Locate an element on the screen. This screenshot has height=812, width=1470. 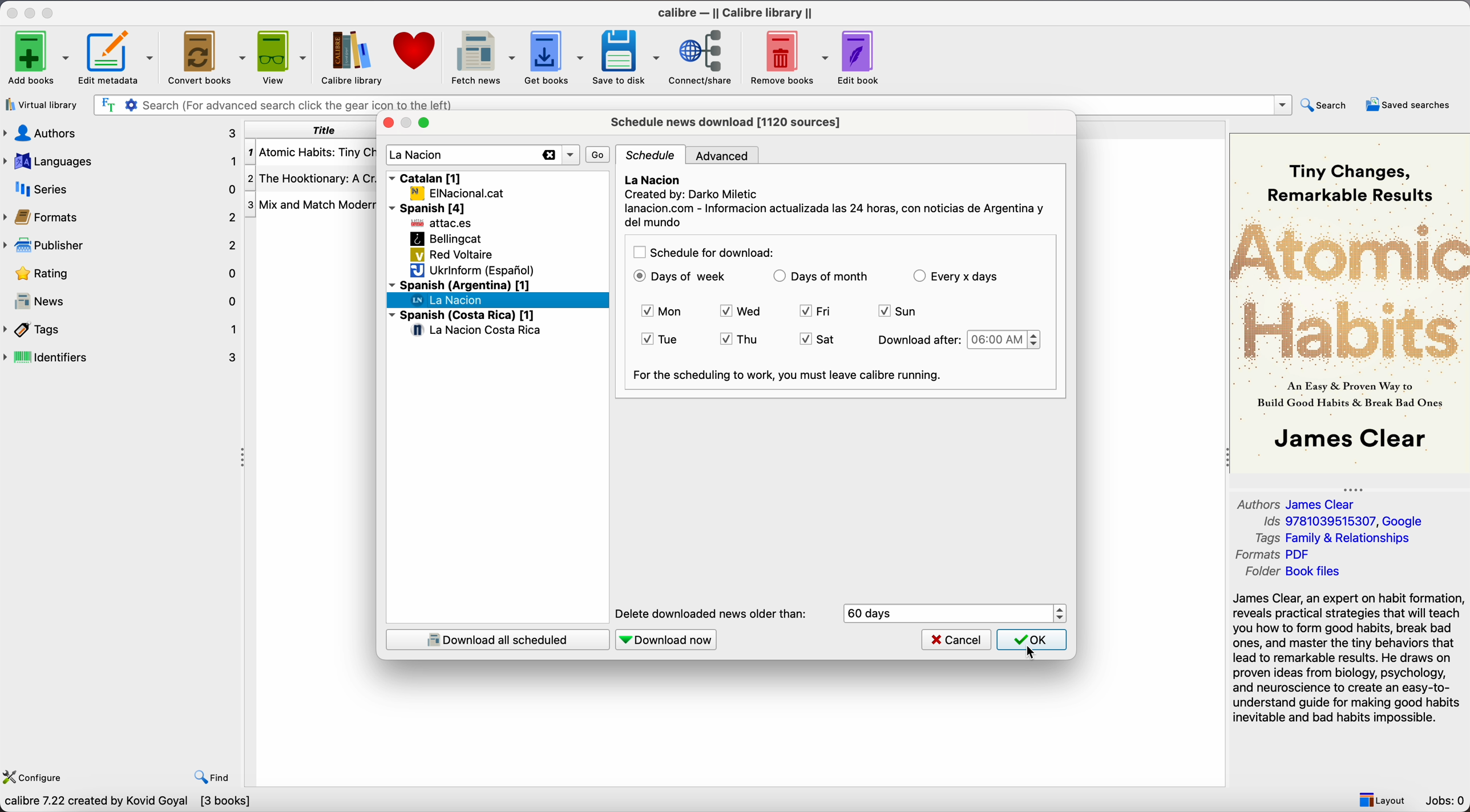
identifiers is located at coordinates (122, 358).